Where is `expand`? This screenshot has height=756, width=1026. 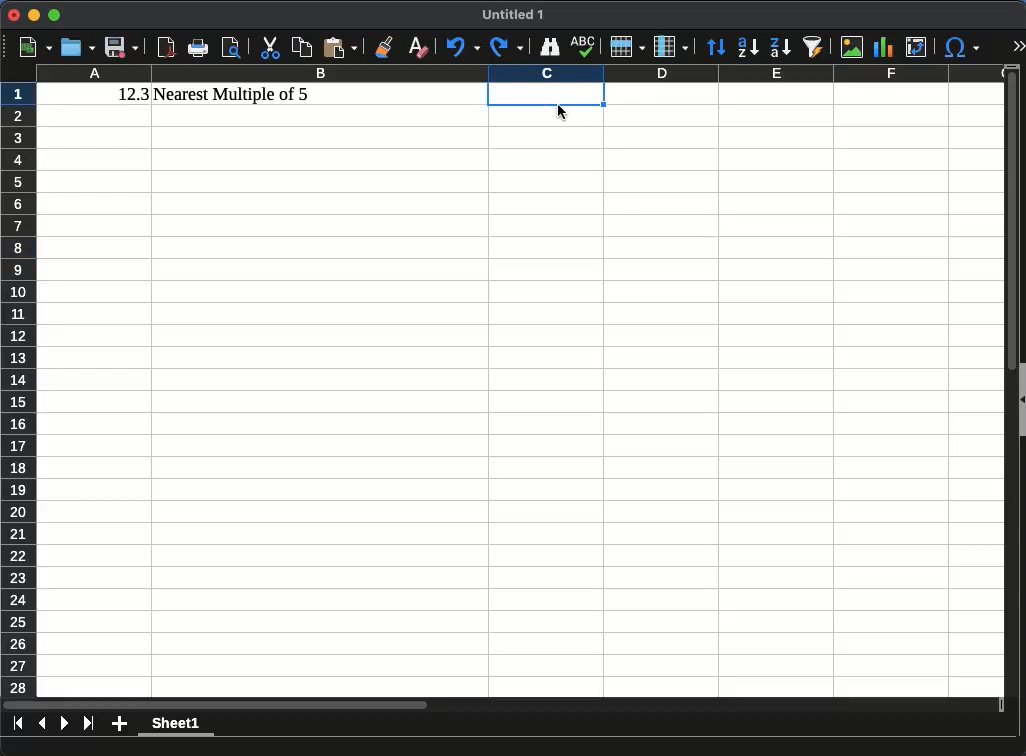 expand is located at coordinates (1018, 44).